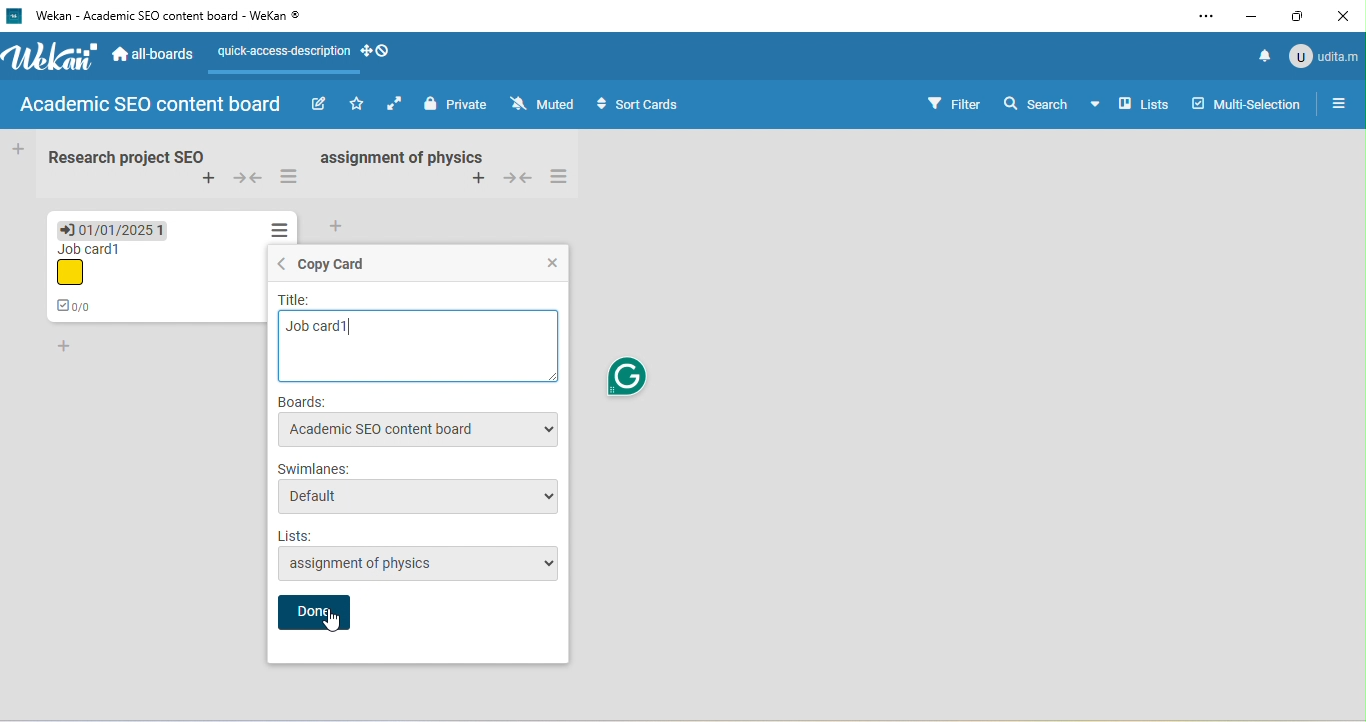 The width and height of the screenshot is (1366, 722). Describe the element at coordinates (563, 176) in the screenshot. I see `swimlane action` at that location.